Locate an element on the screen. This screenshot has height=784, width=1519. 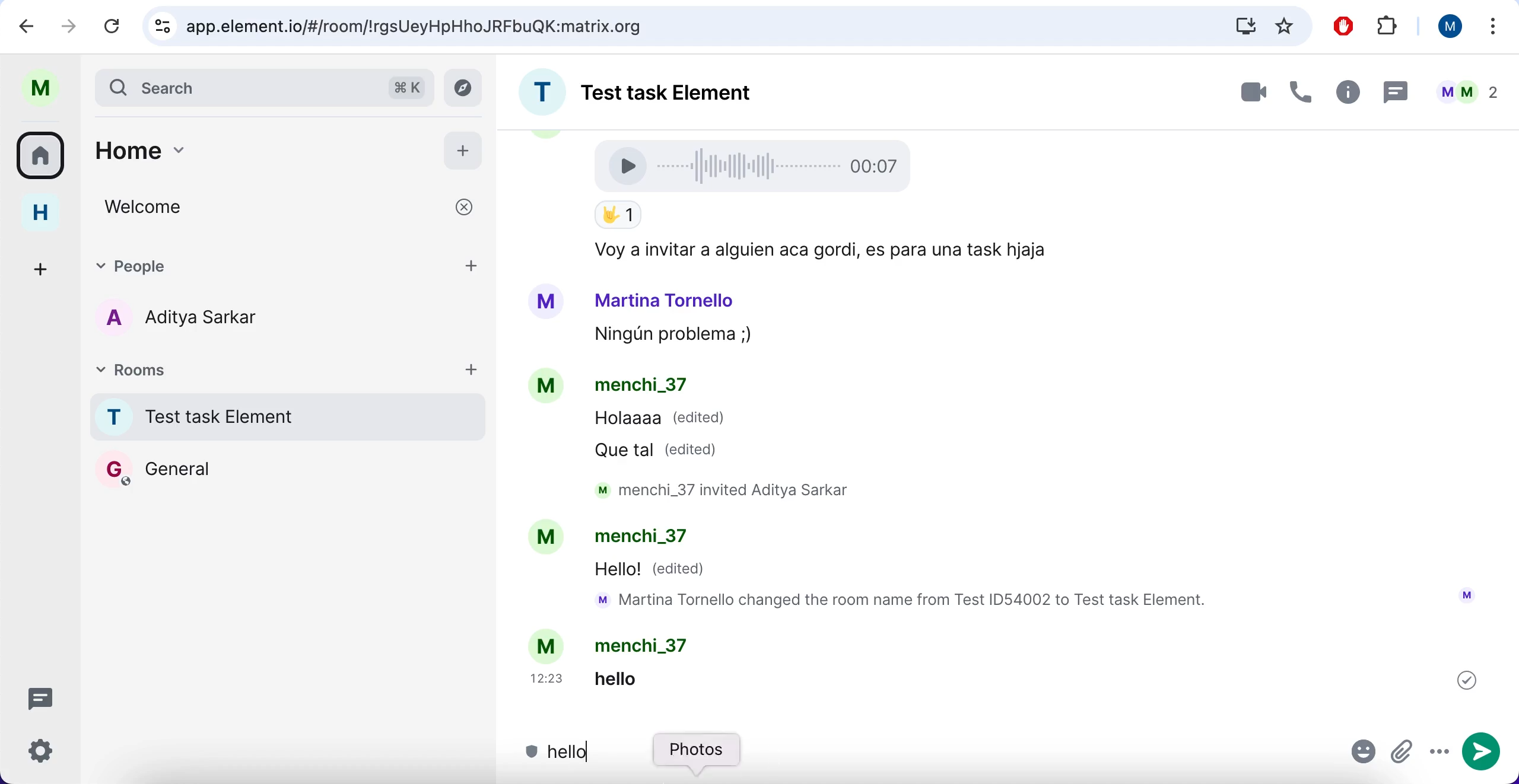
google search bar is located at coordinates (675, 27).